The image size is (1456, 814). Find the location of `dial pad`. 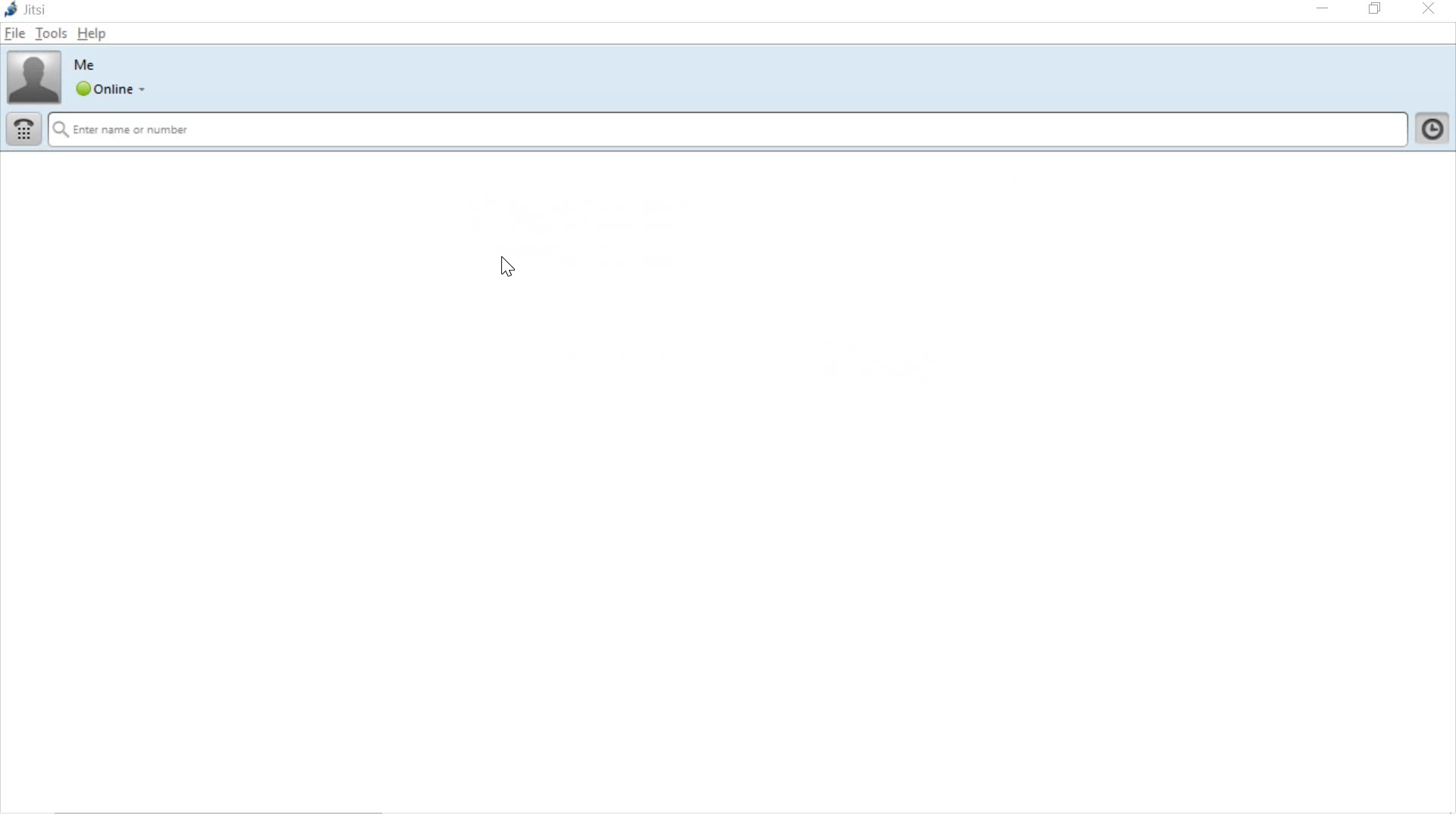

dial pad is located at coordinates (23, 128).